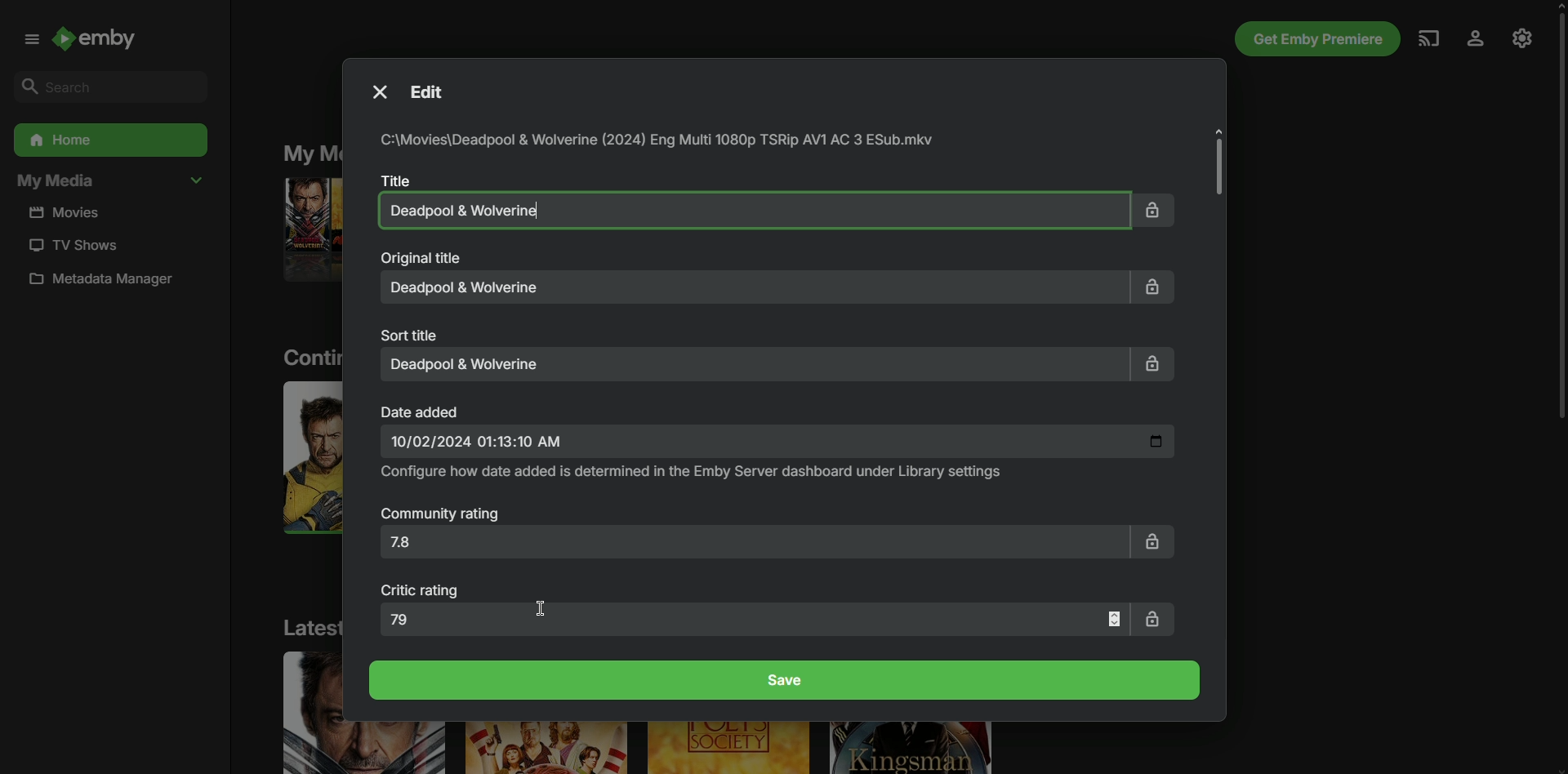 This screenshot has width=1568, height=774. I want to click on 79, so click(755, 619).